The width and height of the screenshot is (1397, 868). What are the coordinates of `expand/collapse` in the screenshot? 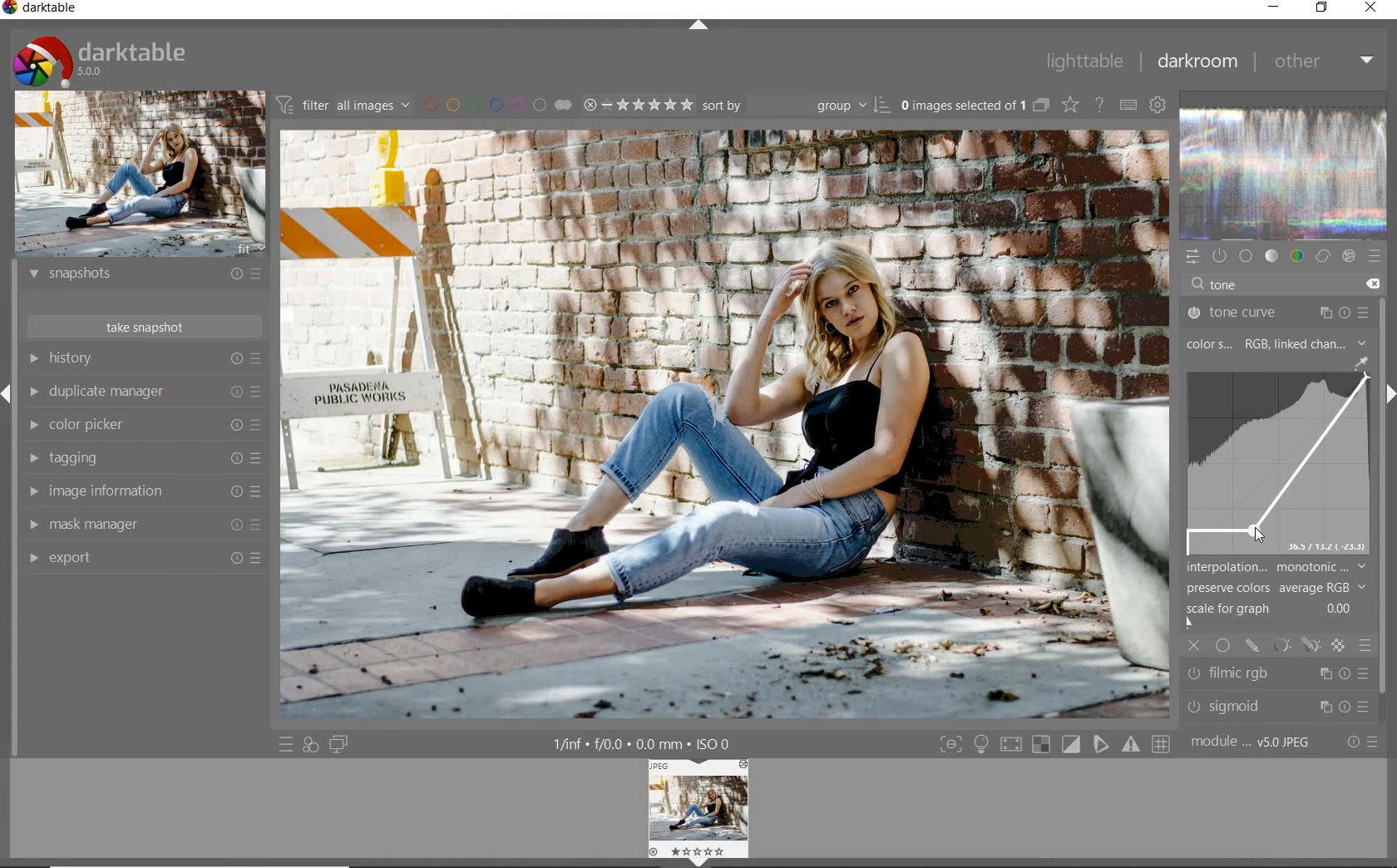 It's located at (698, 27).